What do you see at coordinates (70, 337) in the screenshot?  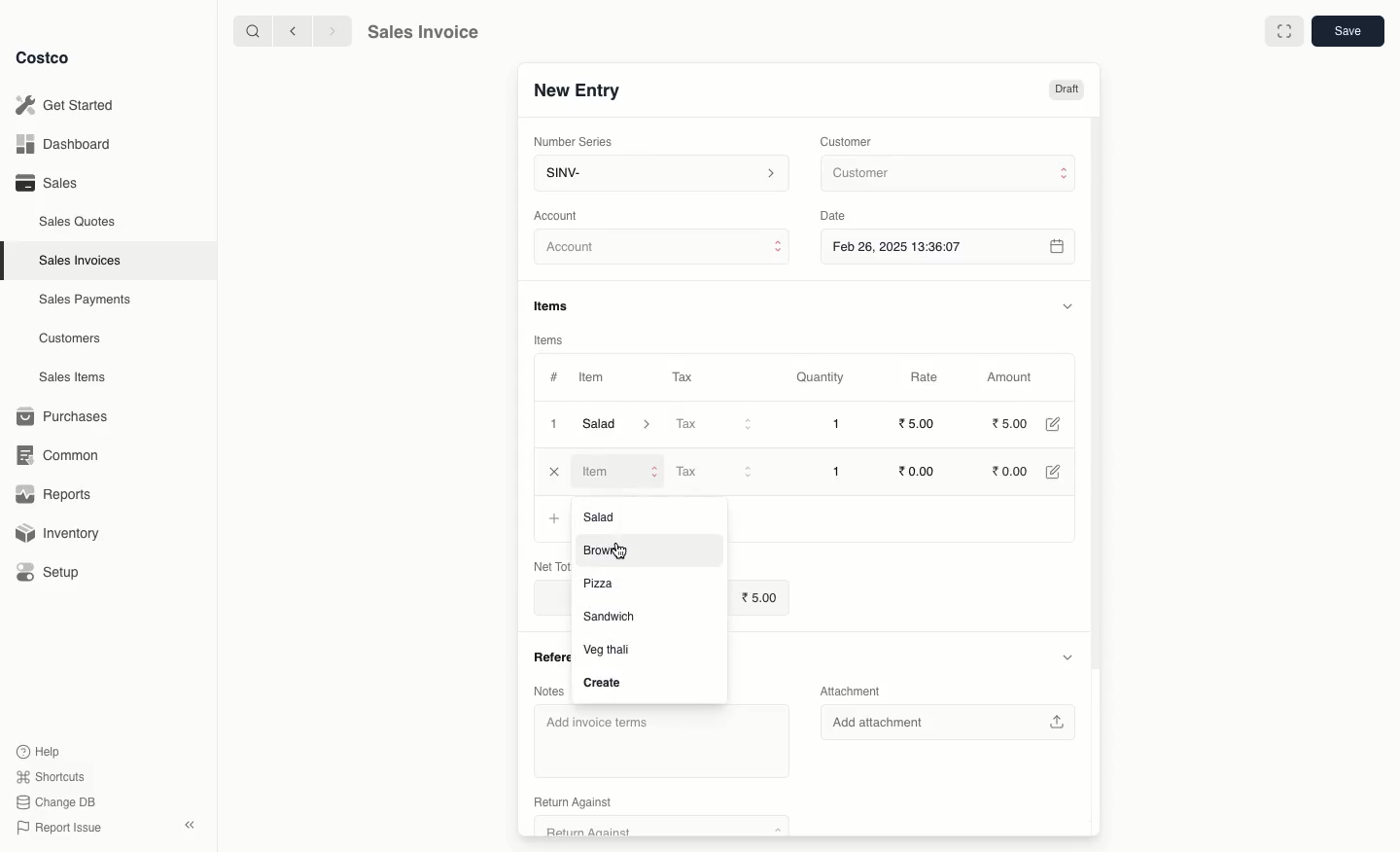 I see `Customers` at bounding box center [70, 337].